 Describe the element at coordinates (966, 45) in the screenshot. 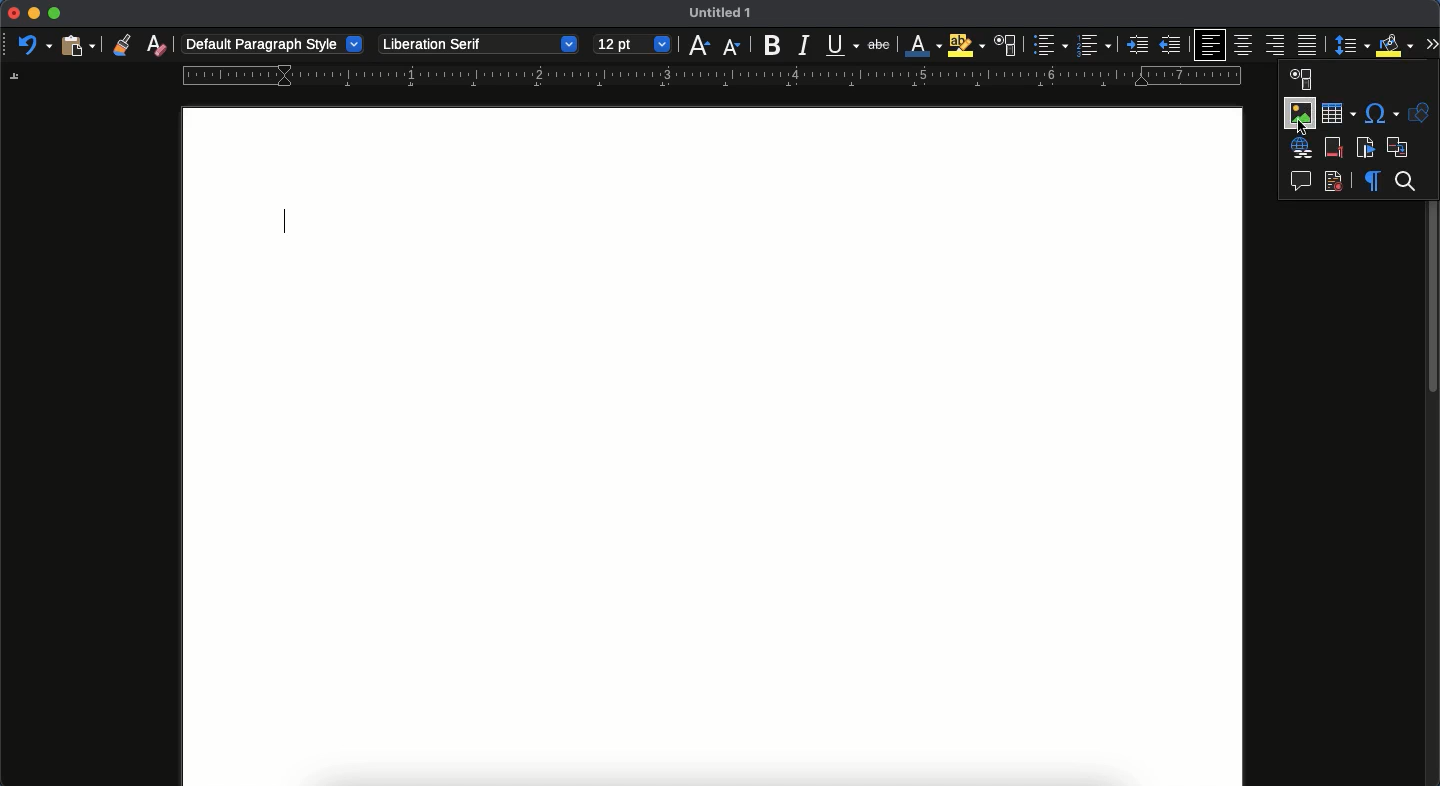

I see `highlight color` at that location.